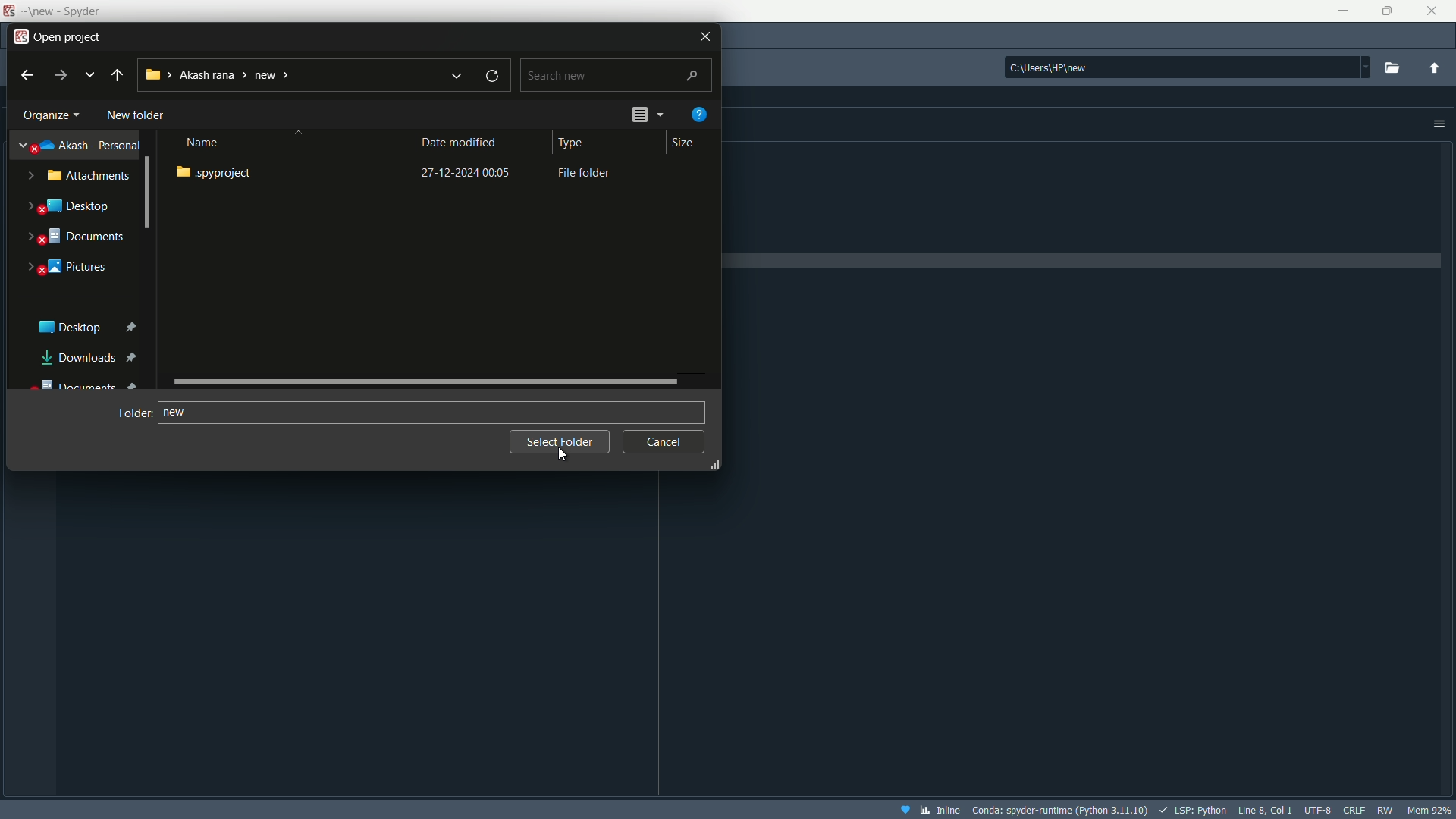 This screenshot has height=819, width=1456. I want to click on folder, so click(134, 413).